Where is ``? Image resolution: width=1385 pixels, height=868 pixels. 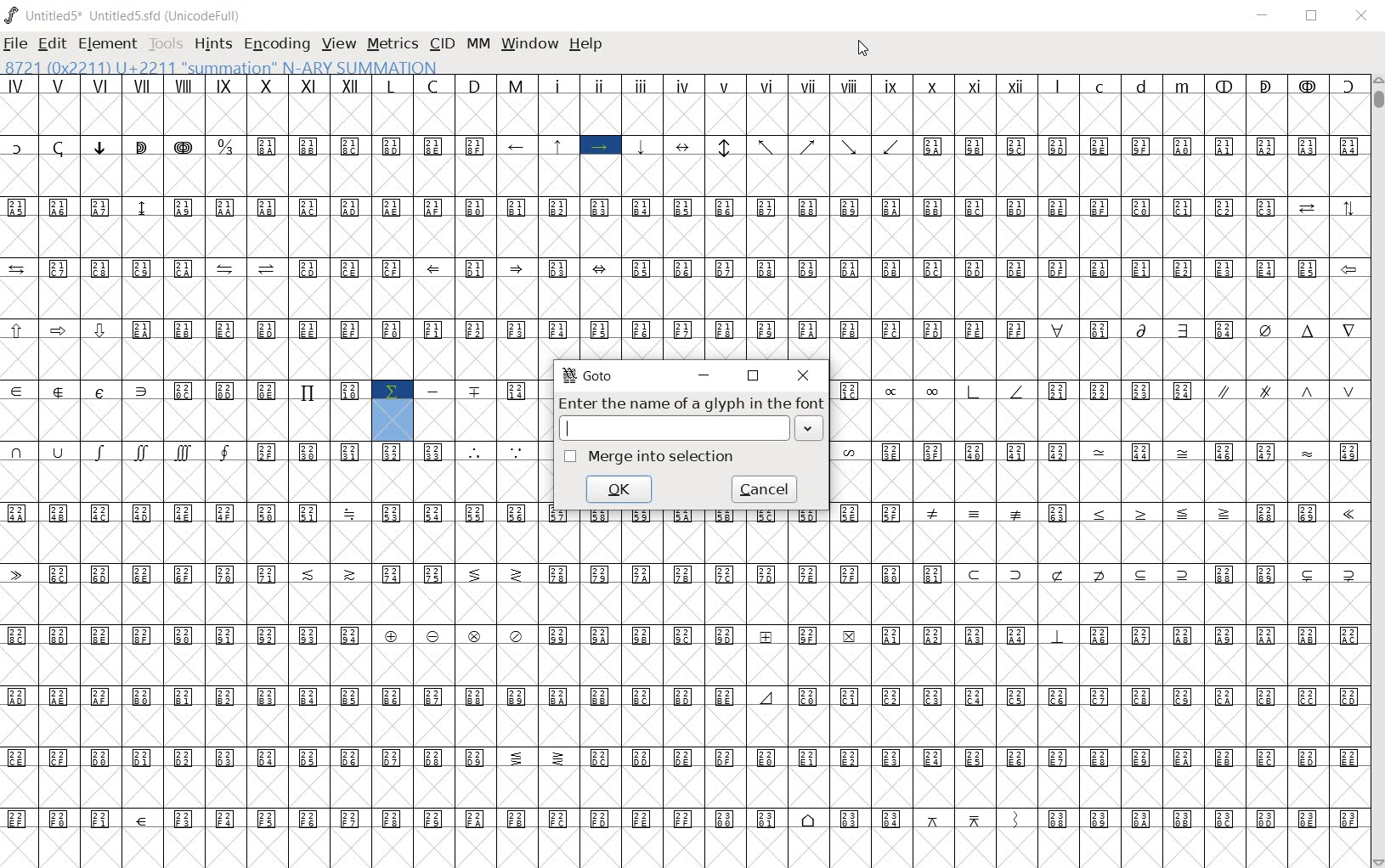
 is located at coordinates (1096, 512).